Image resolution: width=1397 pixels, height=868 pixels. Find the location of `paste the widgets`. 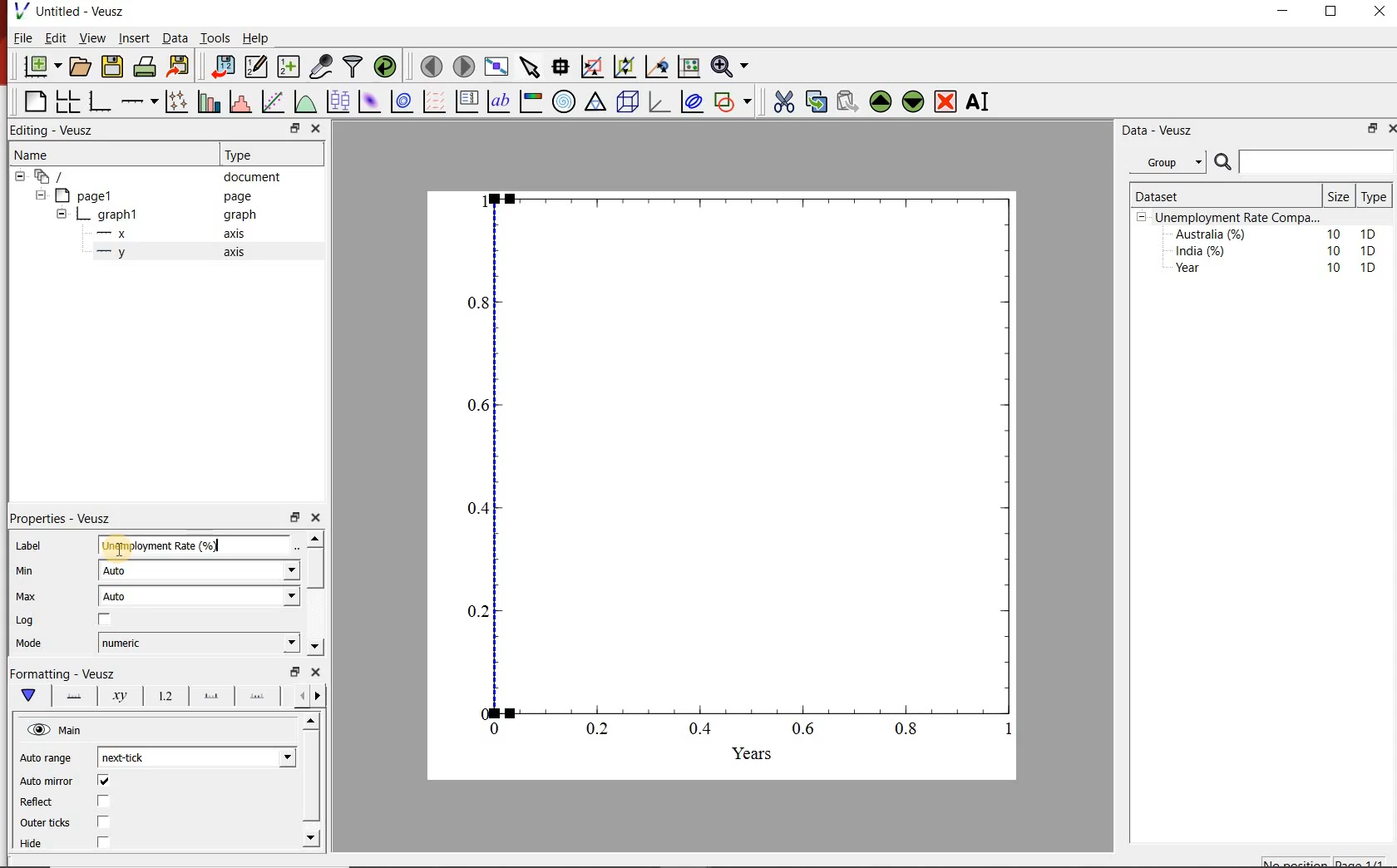

paste the widgets is located at coordinates (848, 101).